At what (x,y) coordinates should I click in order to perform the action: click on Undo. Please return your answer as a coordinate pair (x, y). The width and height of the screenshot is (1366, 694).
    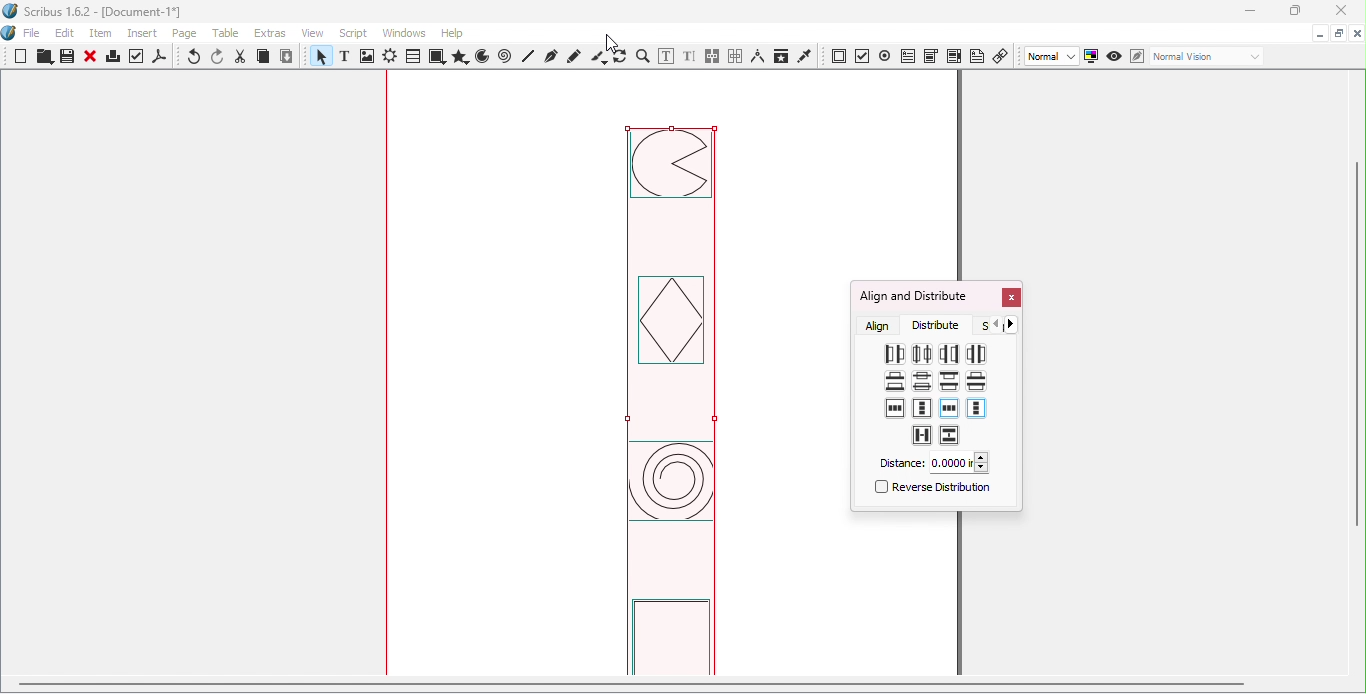
    Looking at the image, I should click on (195, 58).